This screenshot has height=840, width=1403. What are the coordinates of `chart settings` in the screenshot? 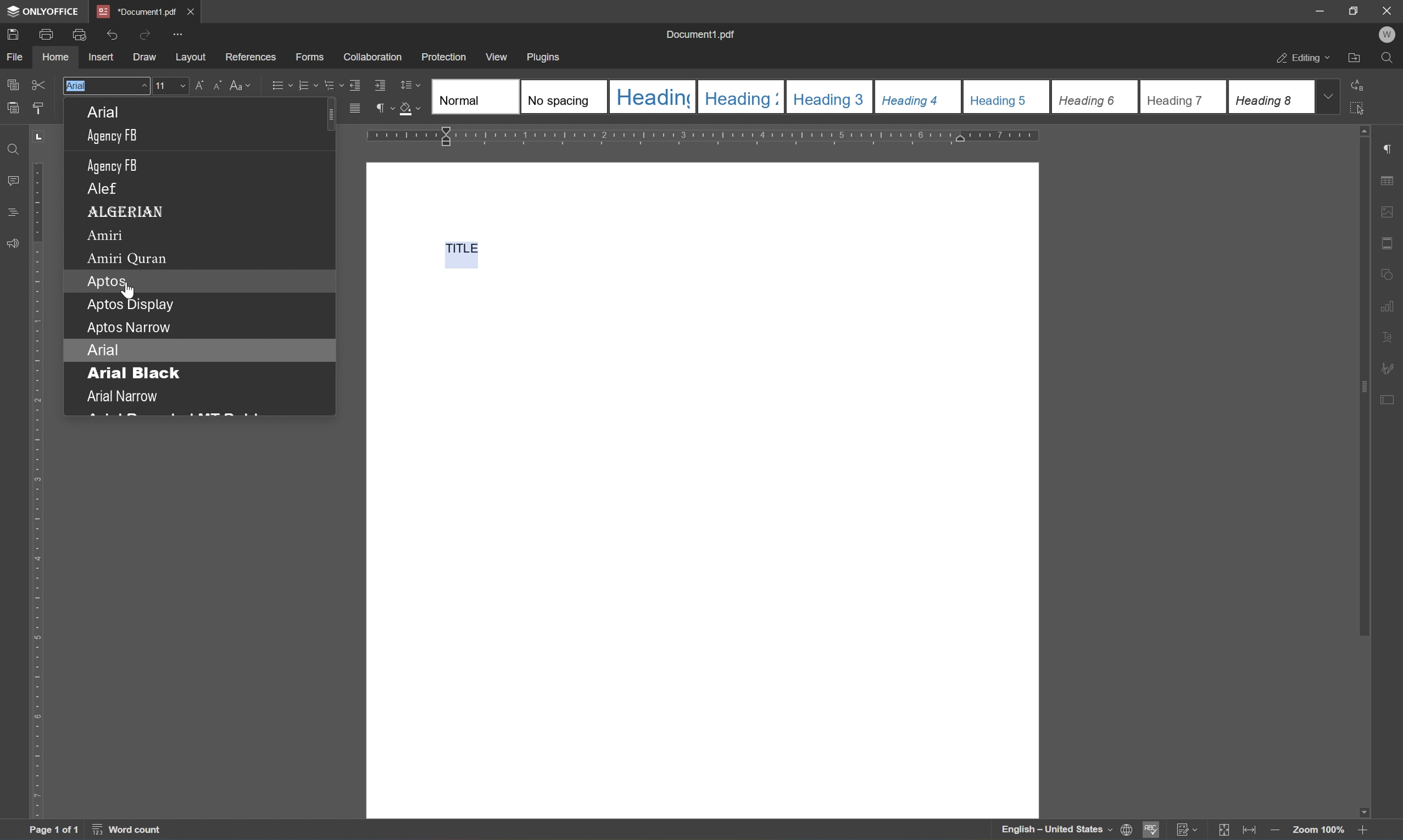 It's located at (1392, 303).